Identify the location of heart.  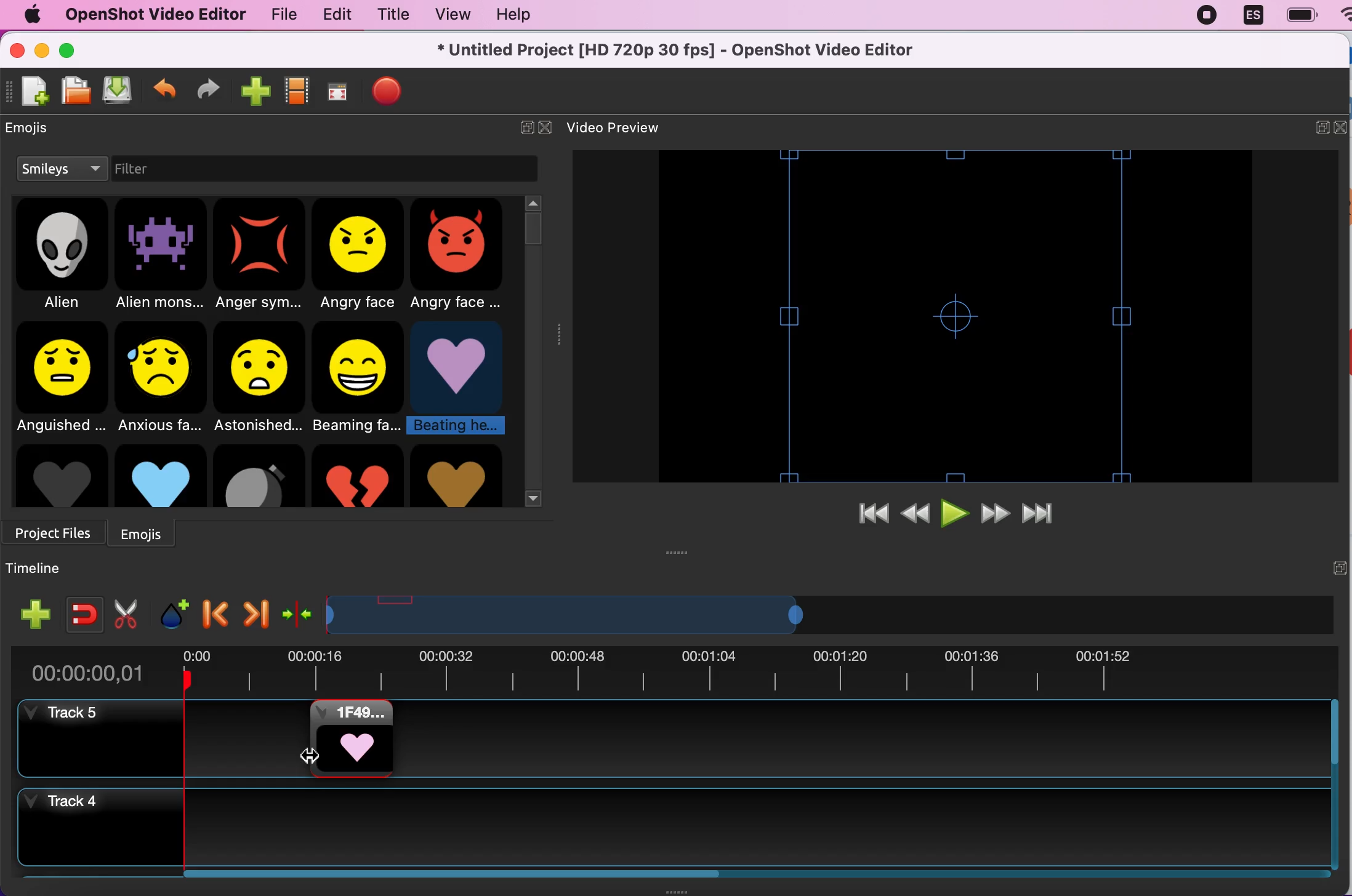
(456, 476).